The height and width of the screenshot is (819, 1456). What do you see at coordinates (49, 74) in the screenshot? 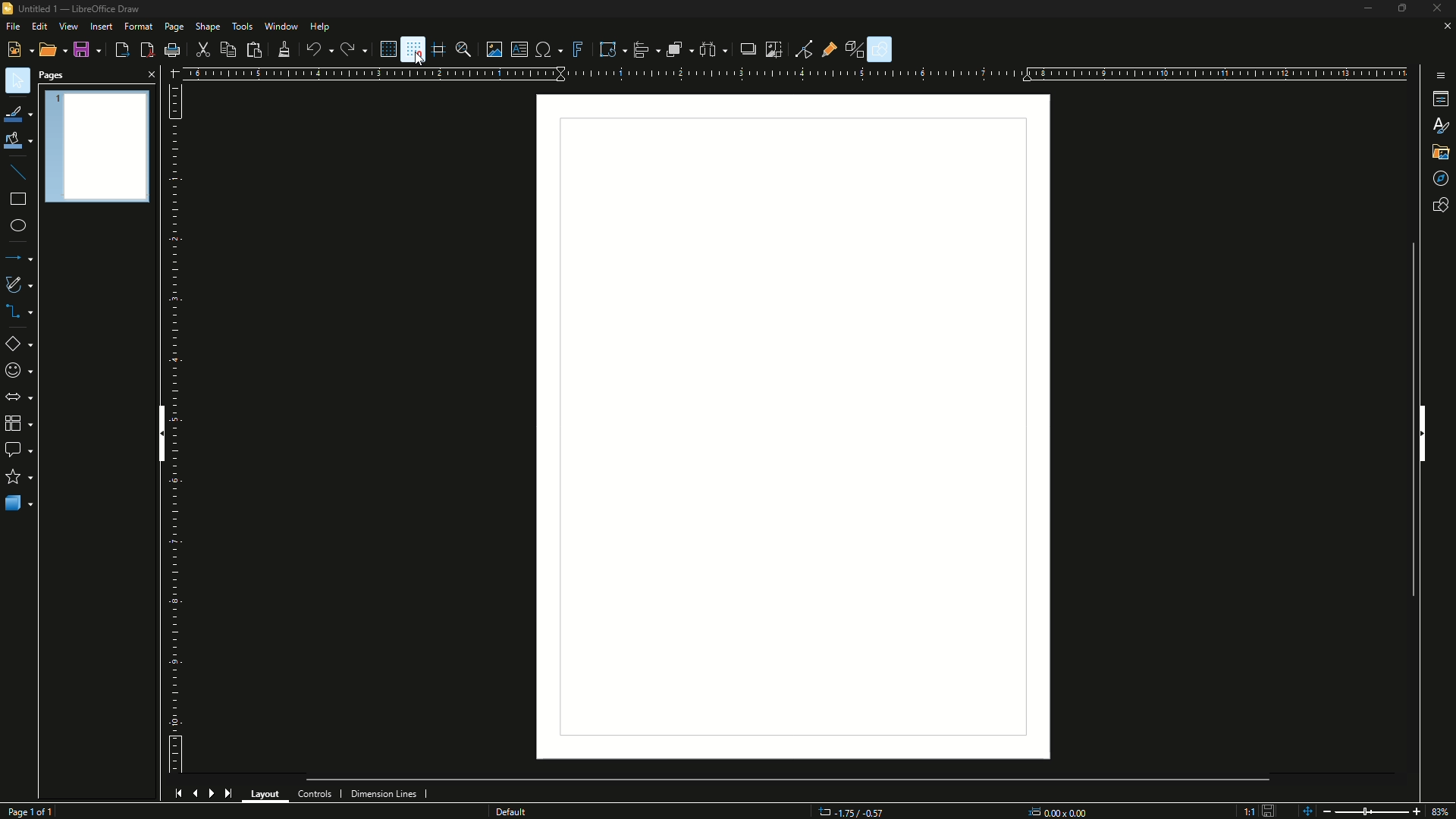
I see `Pages` at bounding box center [49, 74].